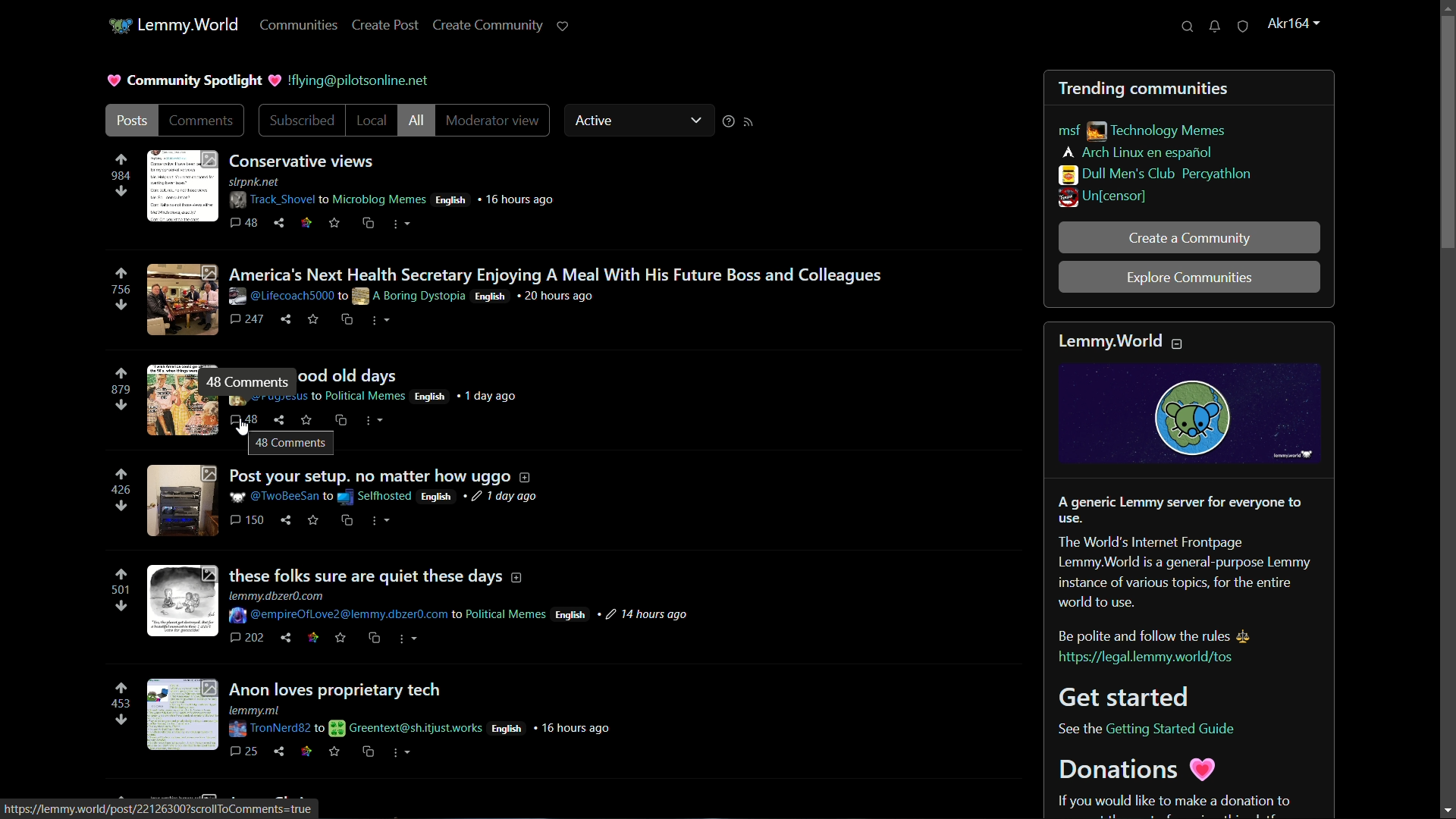 Image resolution: width=1456 pixels, height=819 pixels. What do you see at coordinates (1188, 27) in the screenshot?
I see `search` at bounding box center [1188, 27].